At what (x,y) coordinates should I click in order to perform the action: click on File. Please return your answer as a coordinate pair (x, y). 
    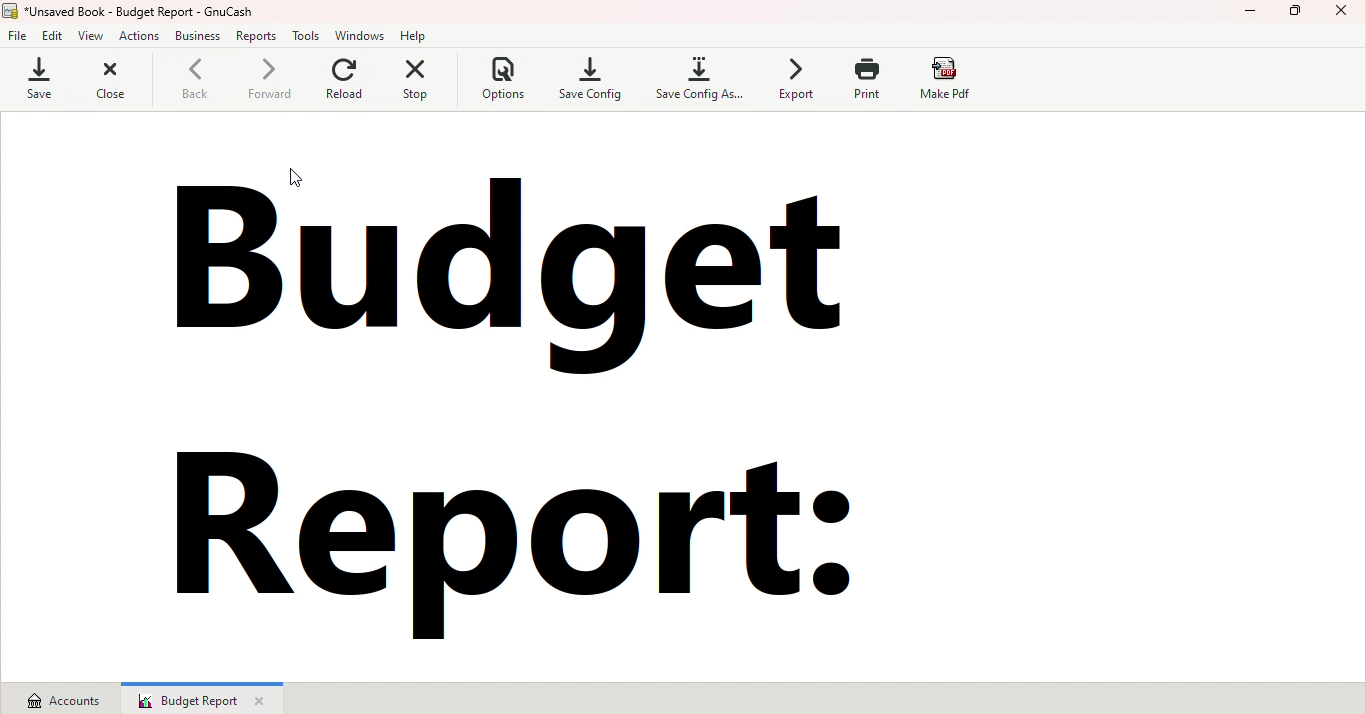
    Looking at the image, I should click on (19, 34).